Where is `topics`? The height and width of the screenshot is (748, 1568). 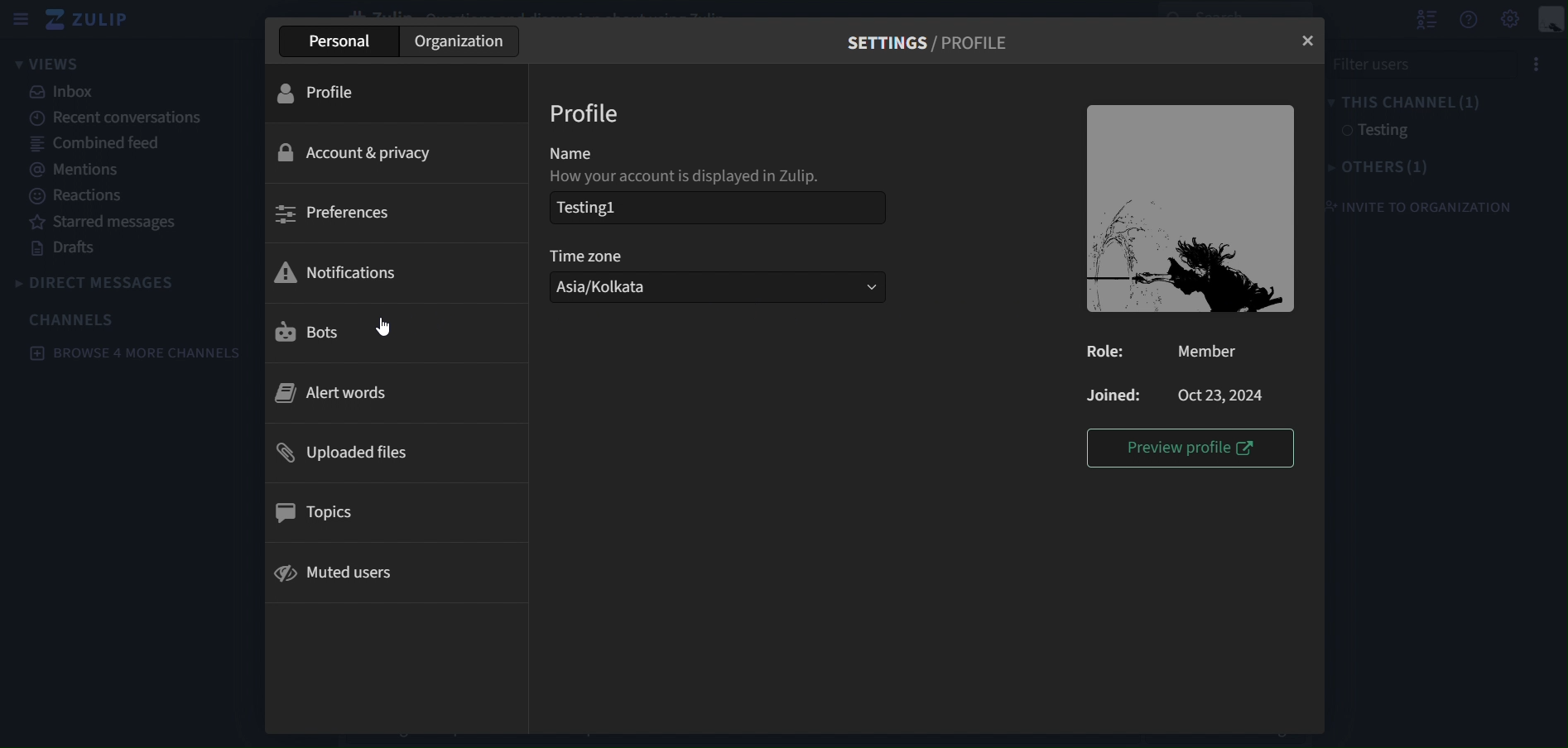 topics is located at coordinates (320, 514).